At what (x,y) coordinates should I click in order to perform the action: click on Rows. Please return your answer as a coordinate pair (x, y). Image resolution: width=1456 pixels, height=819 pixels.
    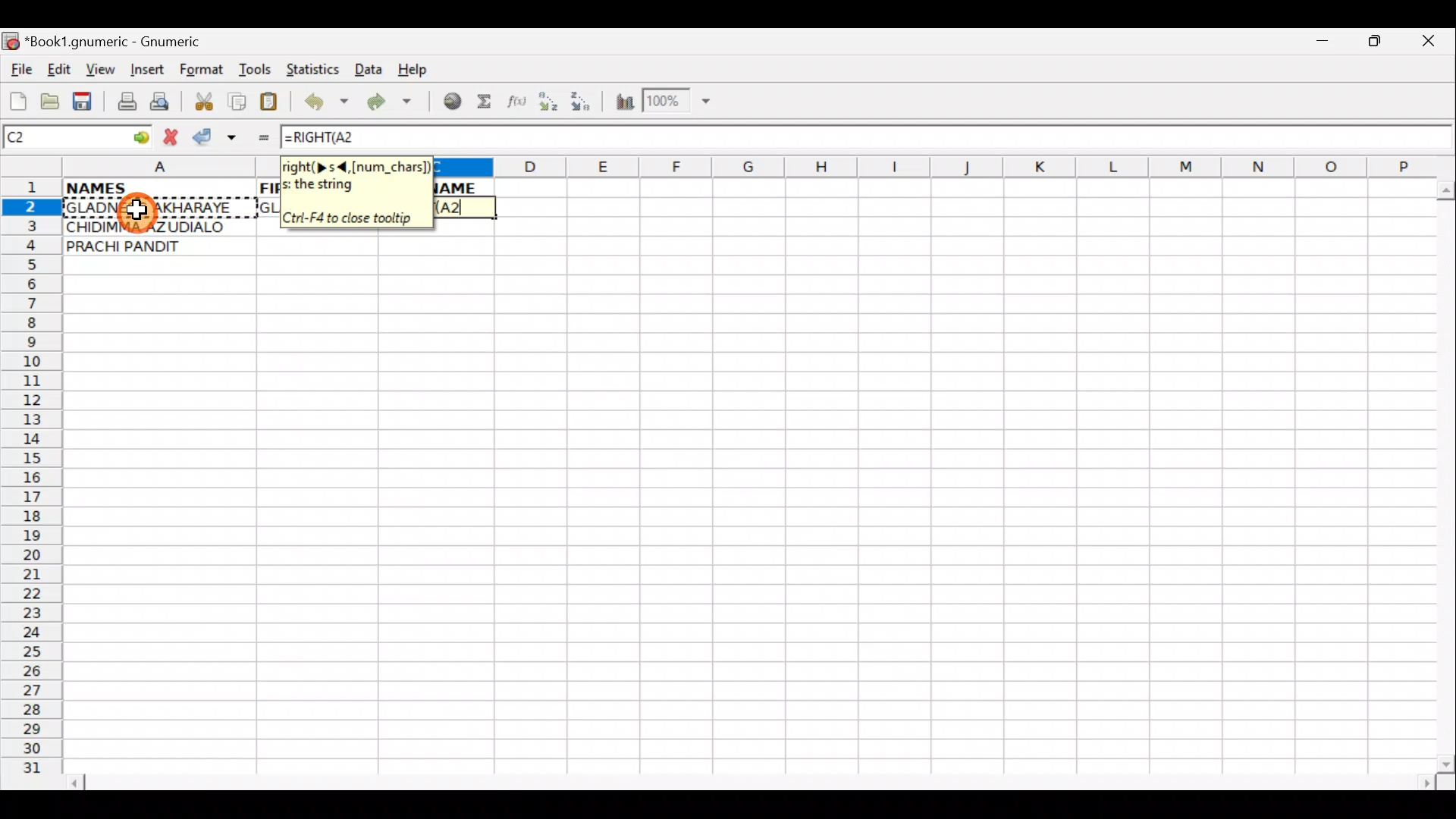
    Looking at the image, I should click on (32, 482).